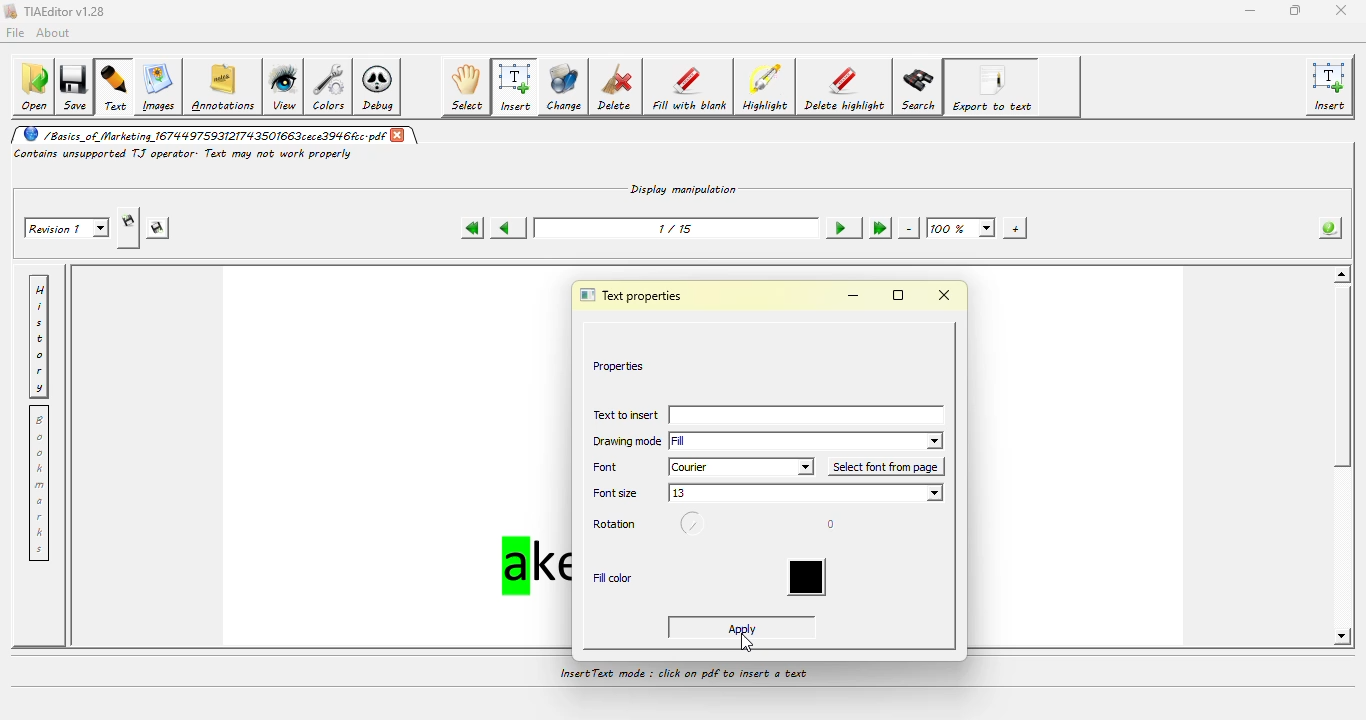  I want to click on scroll down, so click(1339, 636).